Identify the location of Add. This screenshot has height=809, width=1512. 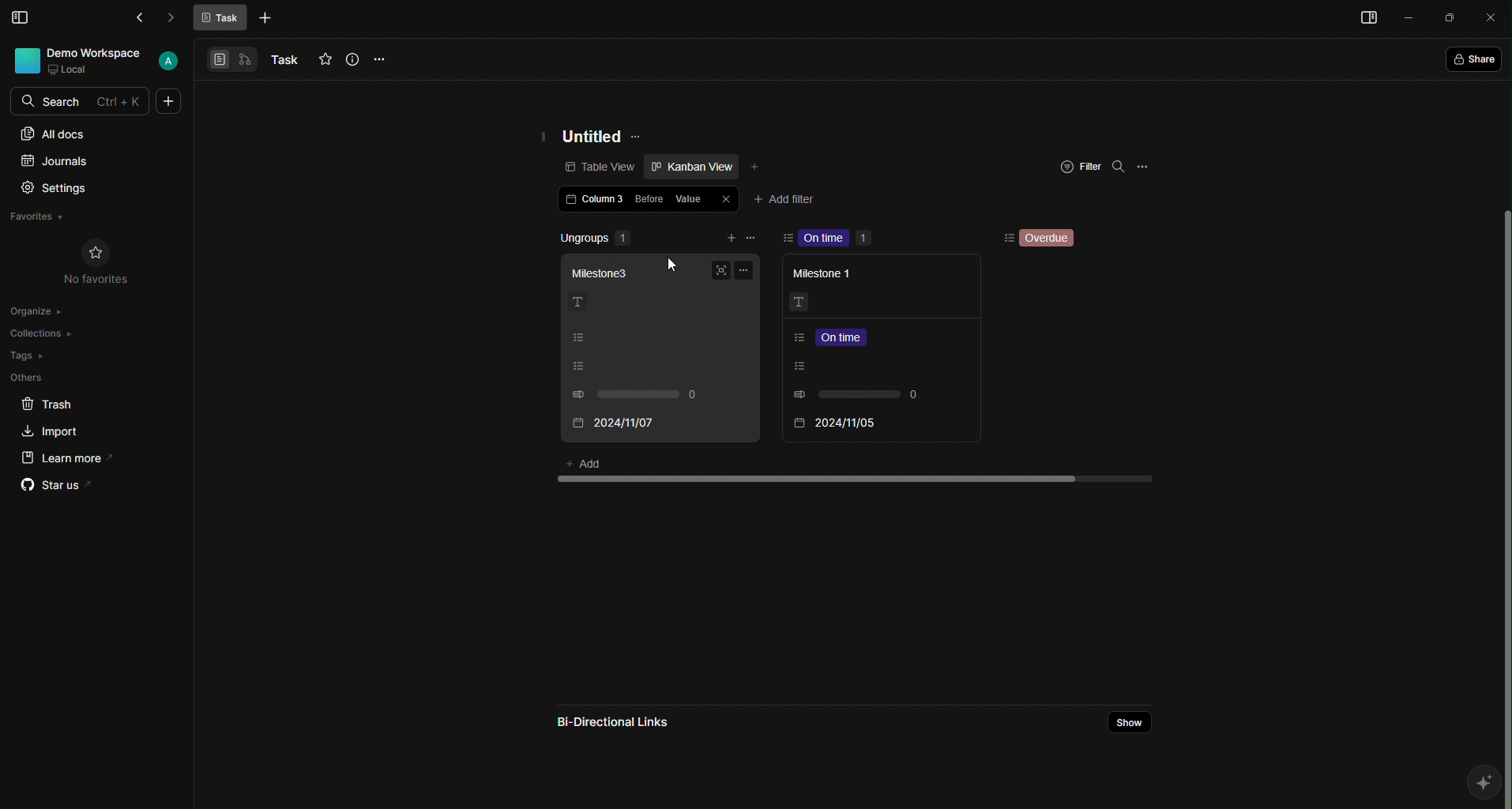
(593, 463).